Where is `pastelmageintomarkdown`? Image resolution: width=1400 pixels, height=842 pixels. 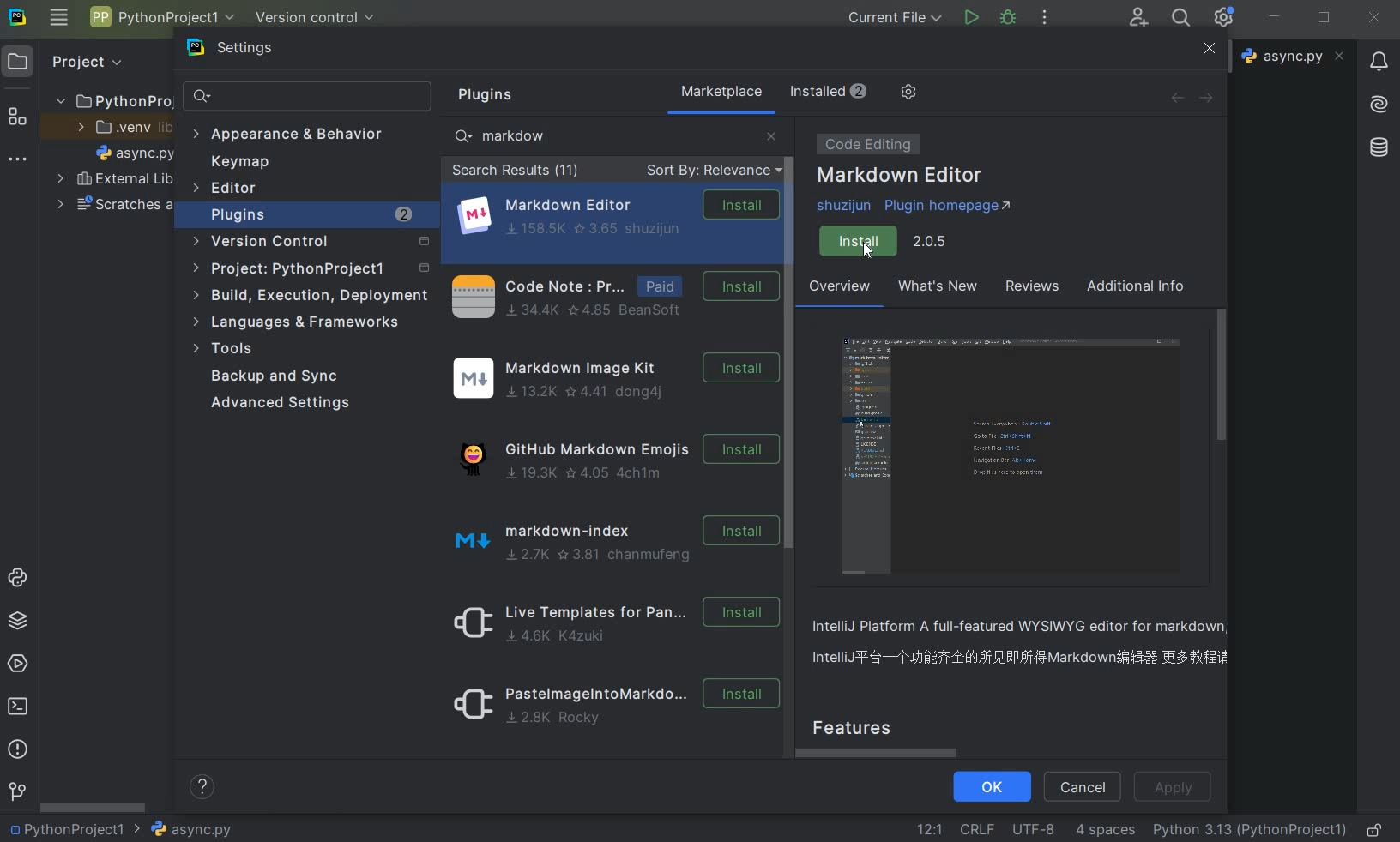
pastelmageintomarkdown is located at coordinates (611, 707).